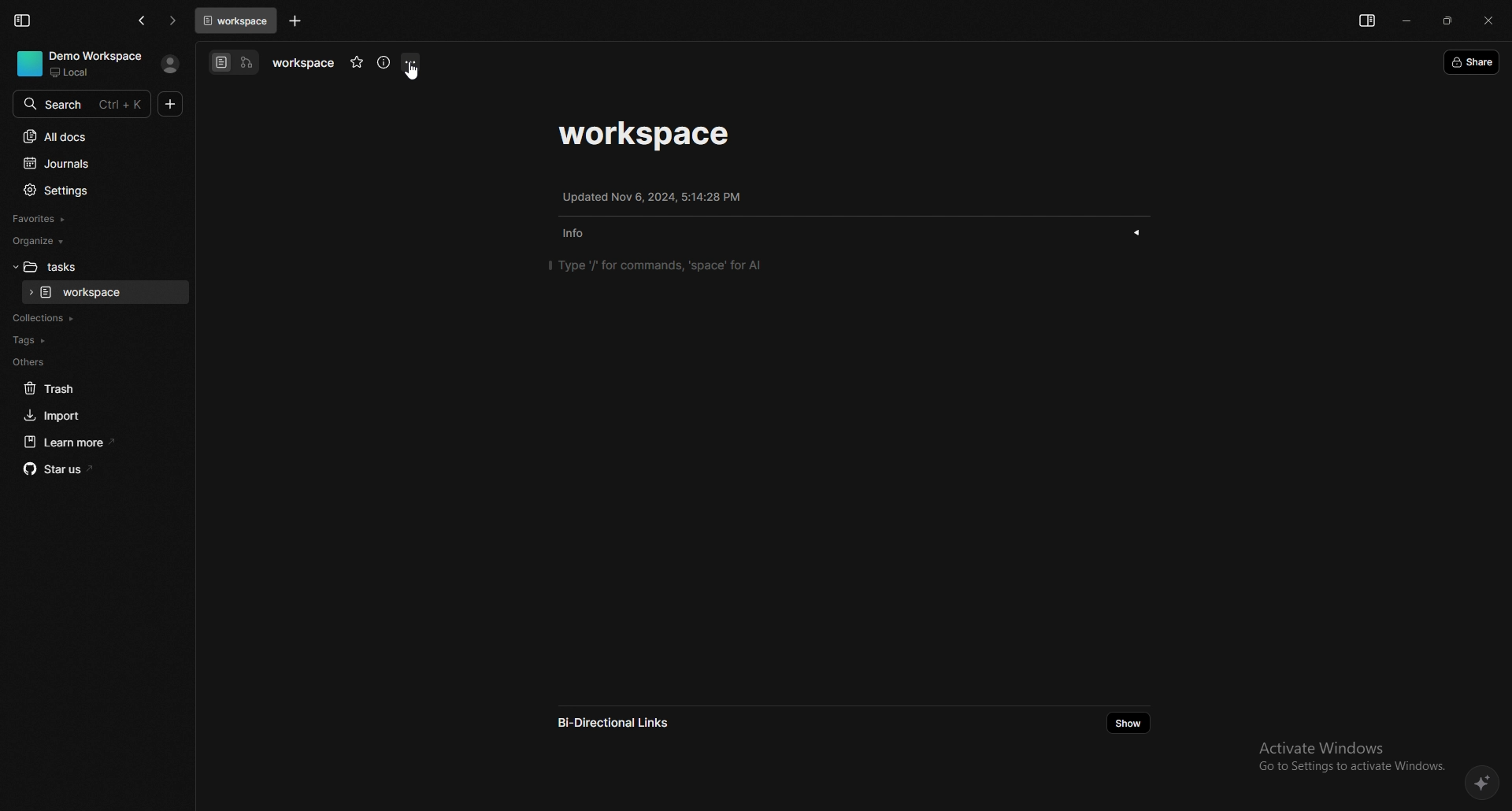 This screenshot has height=811, width=1512. Describe the element at coordinates (409, 74) in the screenshot. I see `cursor` at that location.